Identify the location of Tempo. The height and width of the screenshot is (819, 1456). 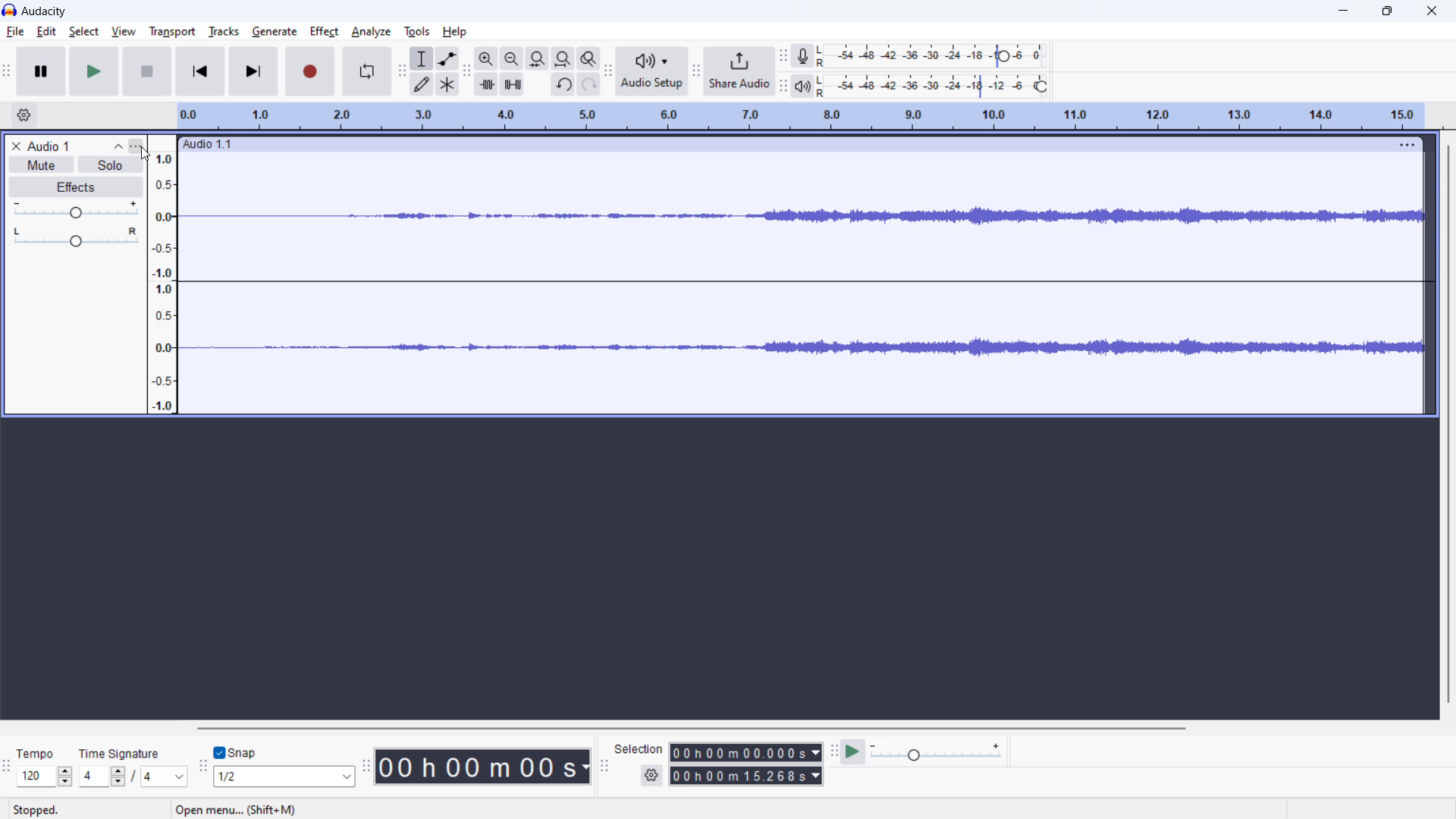
(31, 750).